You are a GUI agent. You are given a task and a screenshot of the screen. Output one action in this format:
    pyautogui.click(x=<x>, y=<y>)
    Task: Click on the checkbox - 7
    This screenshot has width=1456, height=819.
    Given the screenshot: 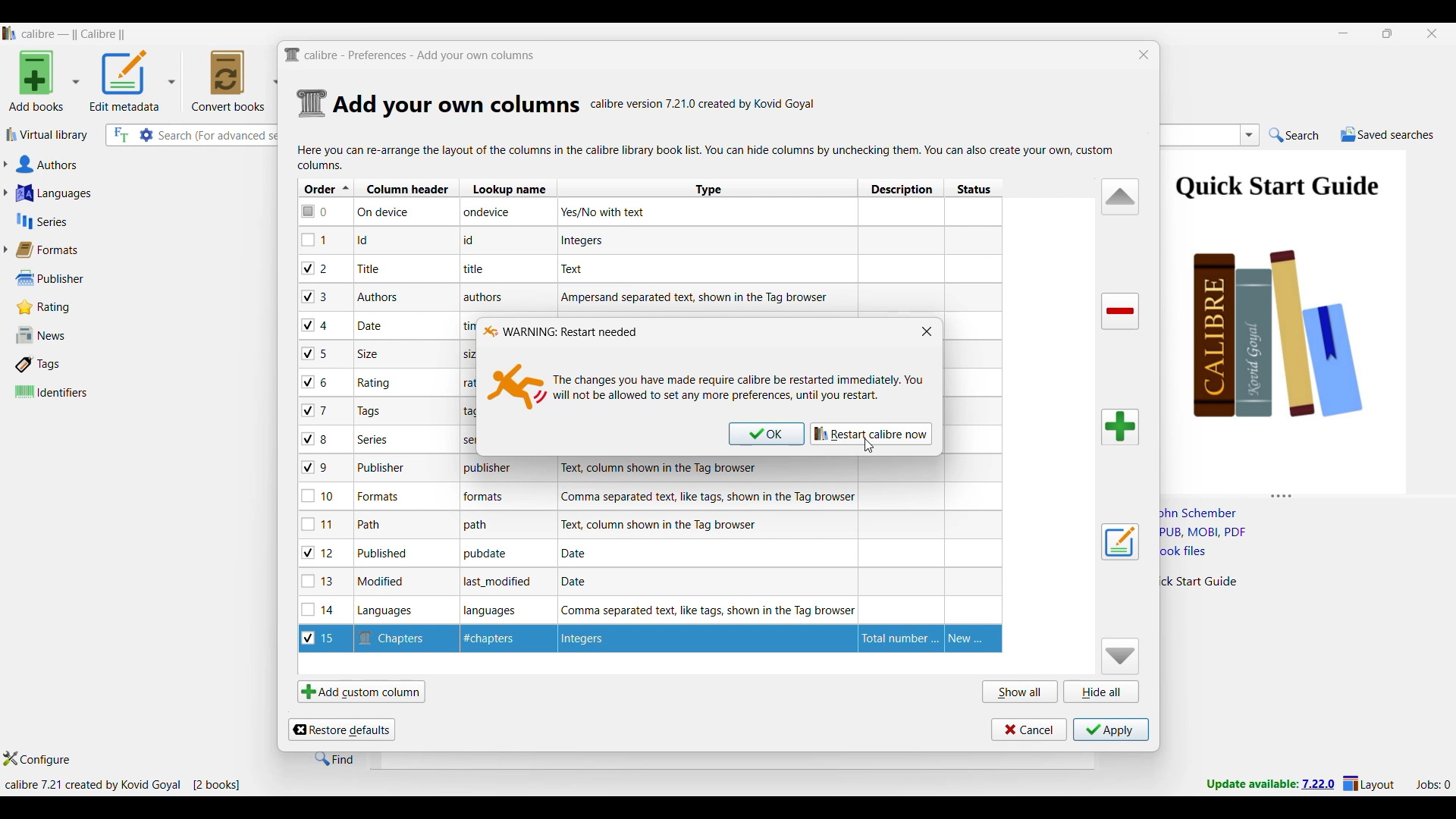 What is the action you would take?
    pyautogui.click(x=317, y=410)
    